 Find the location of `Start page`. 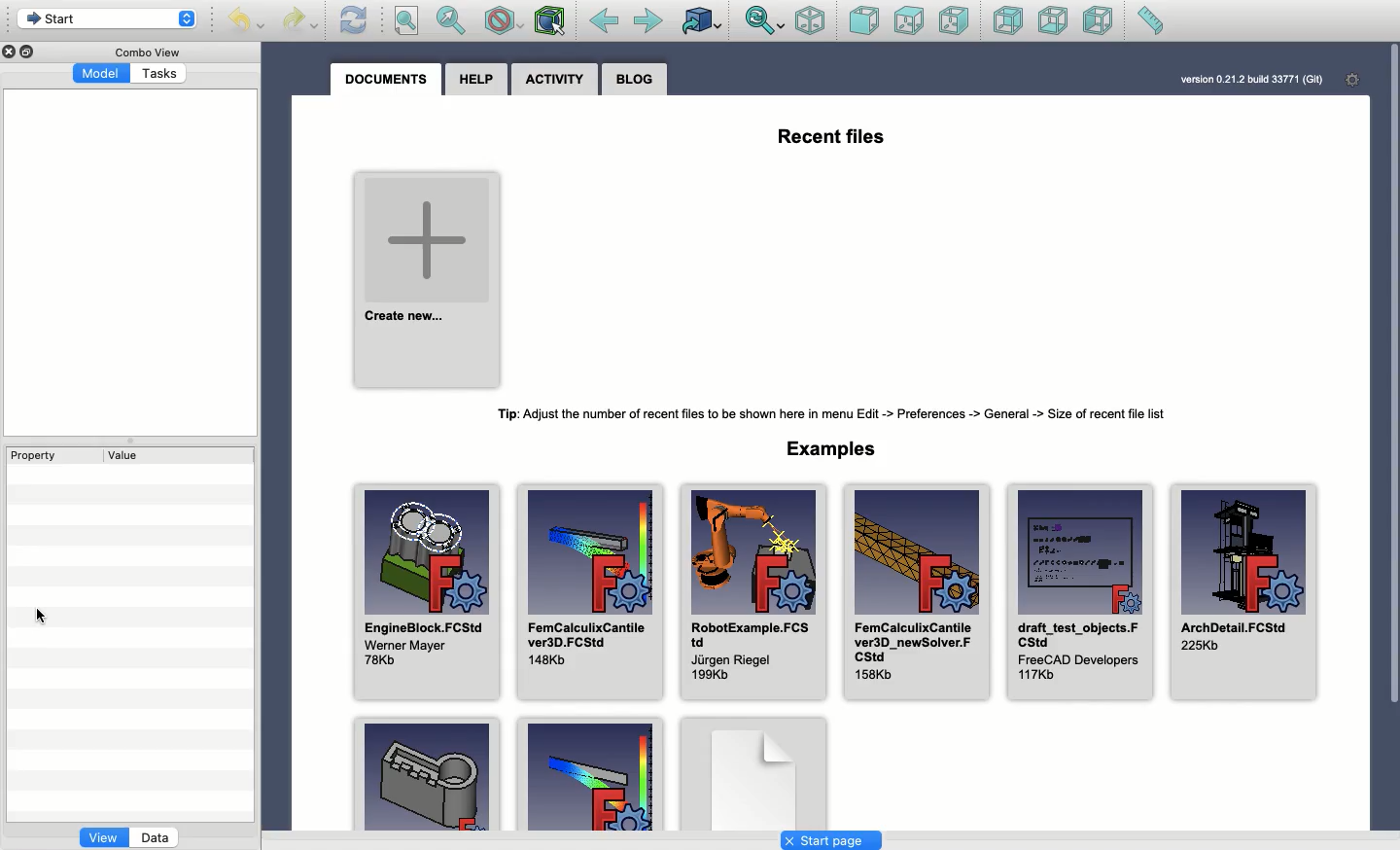

Start page is located at coordinates (833, 839).